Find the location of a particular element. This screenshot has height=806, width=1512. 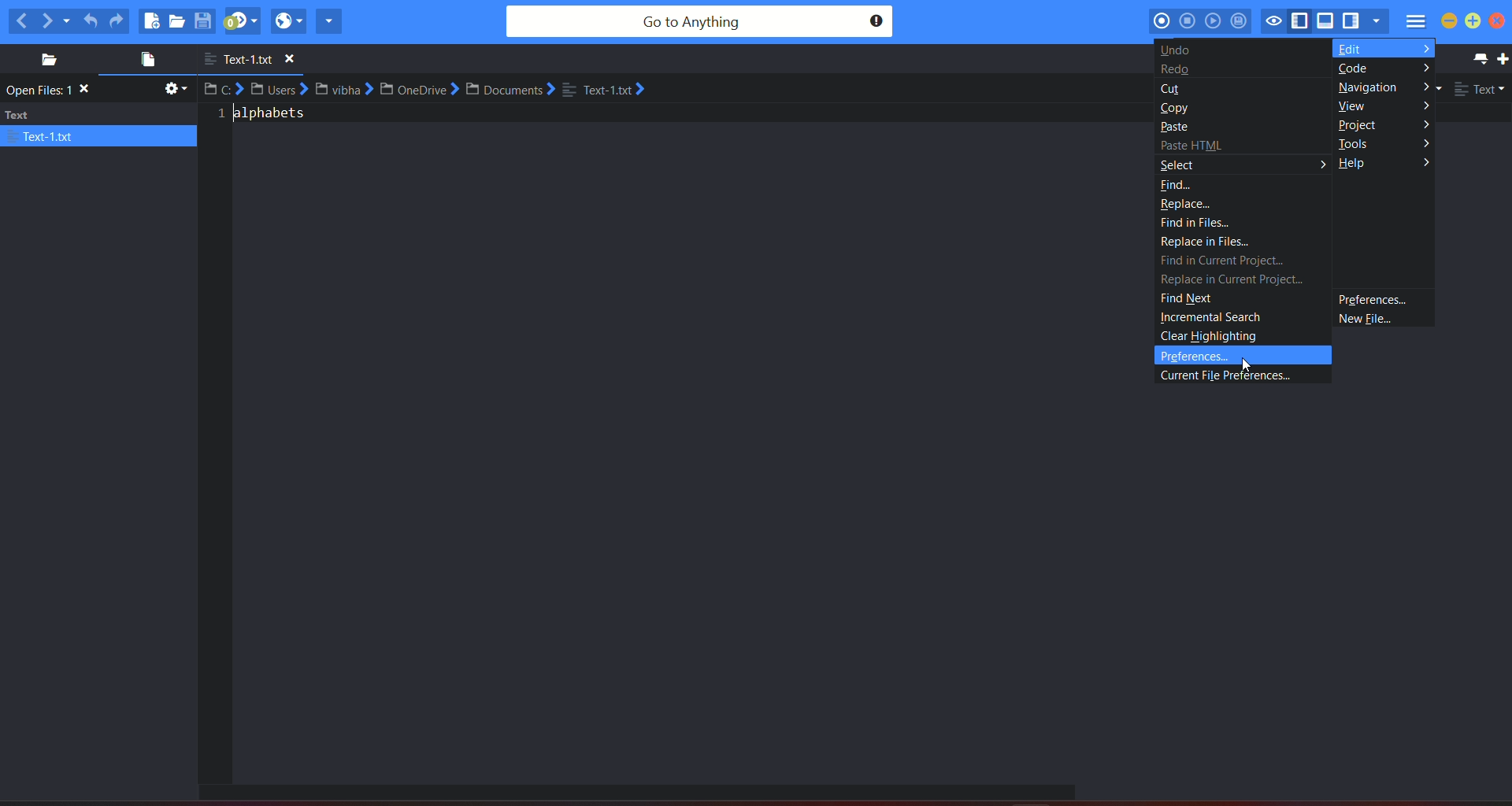

paste is located at coordinates (1181, 128).